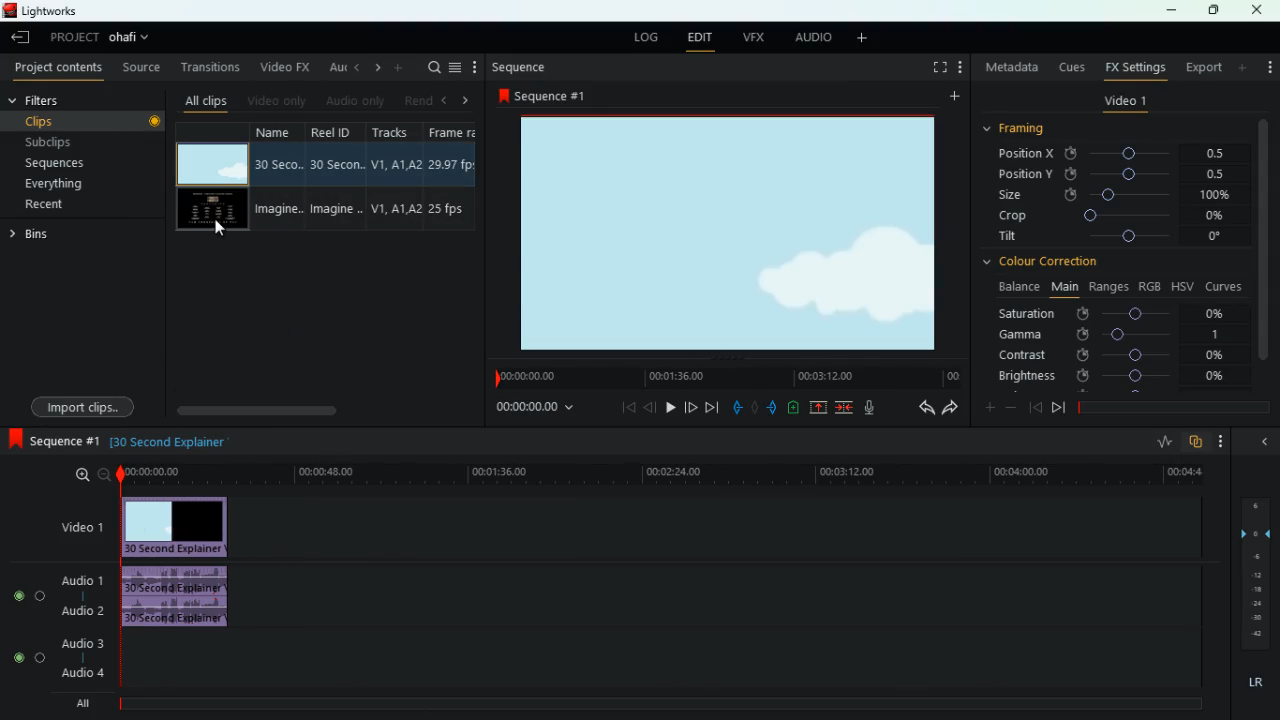 The width and height of the screenshot is (1280, 720). I want to click on vertical scroll bar, so click(1263, 249).